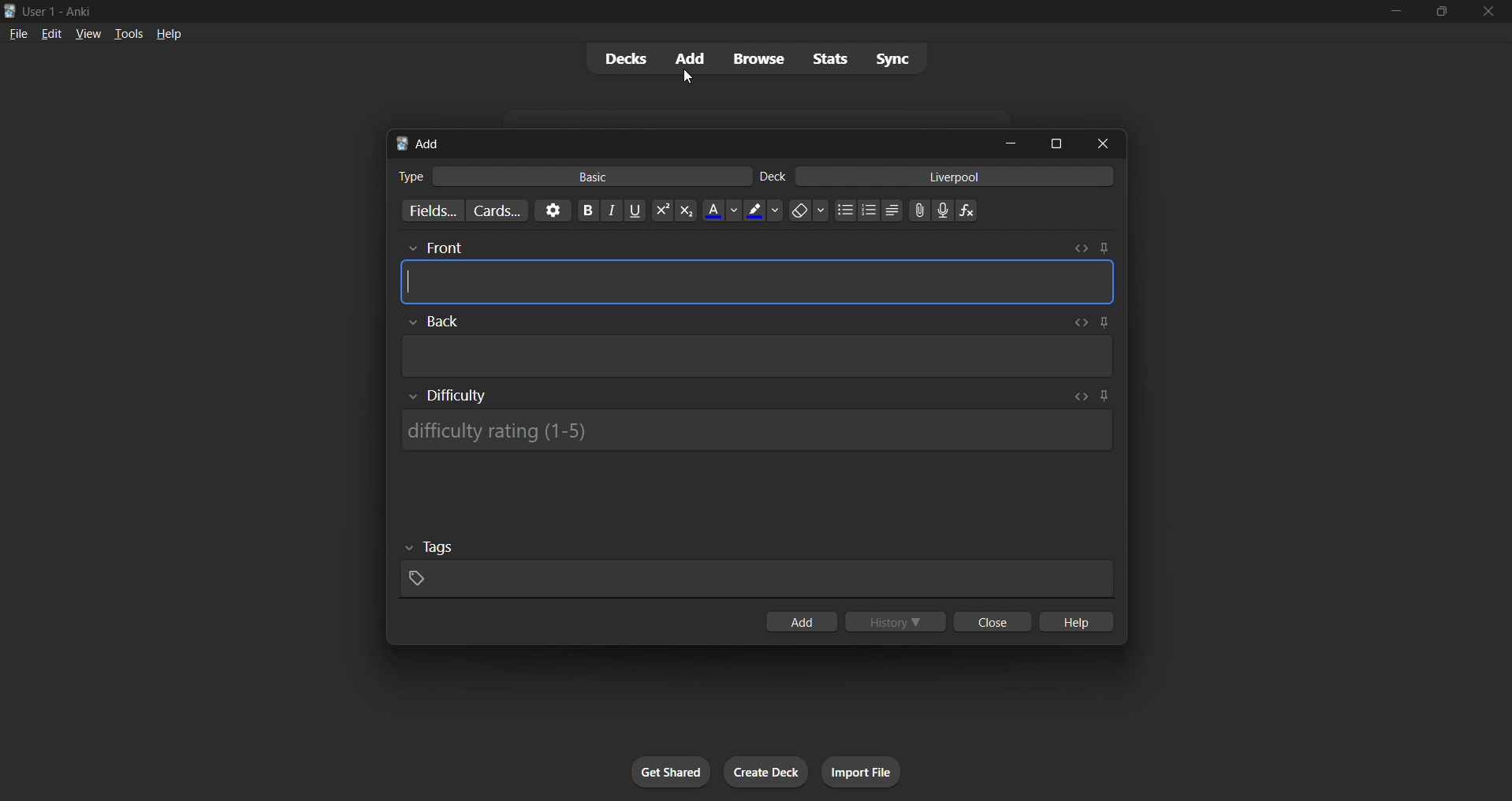 The width and height of the screenshot is (1512, 801). What do you see at coordinates (808, 210) in the screenshot?
I see `clear` at bounding box center [808, 210].